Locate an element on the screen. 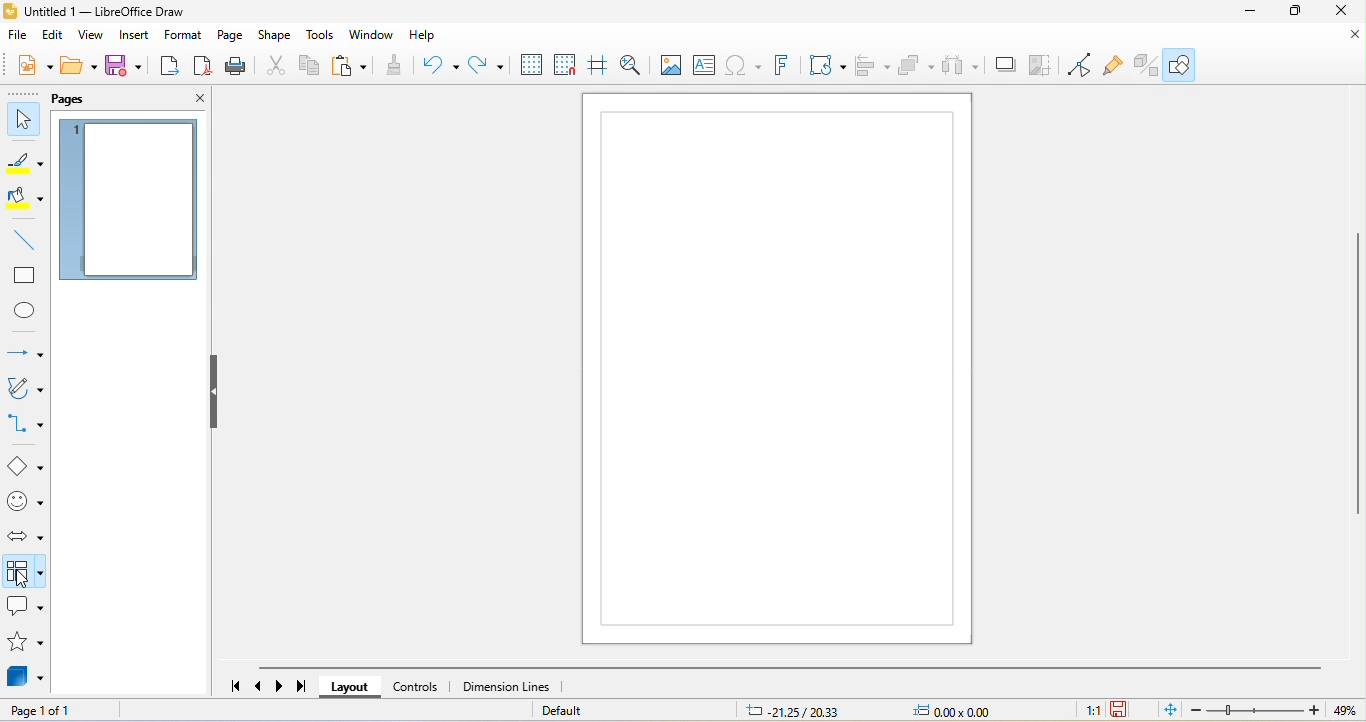  toggle extrusion is located at coordinates (1148, 66).